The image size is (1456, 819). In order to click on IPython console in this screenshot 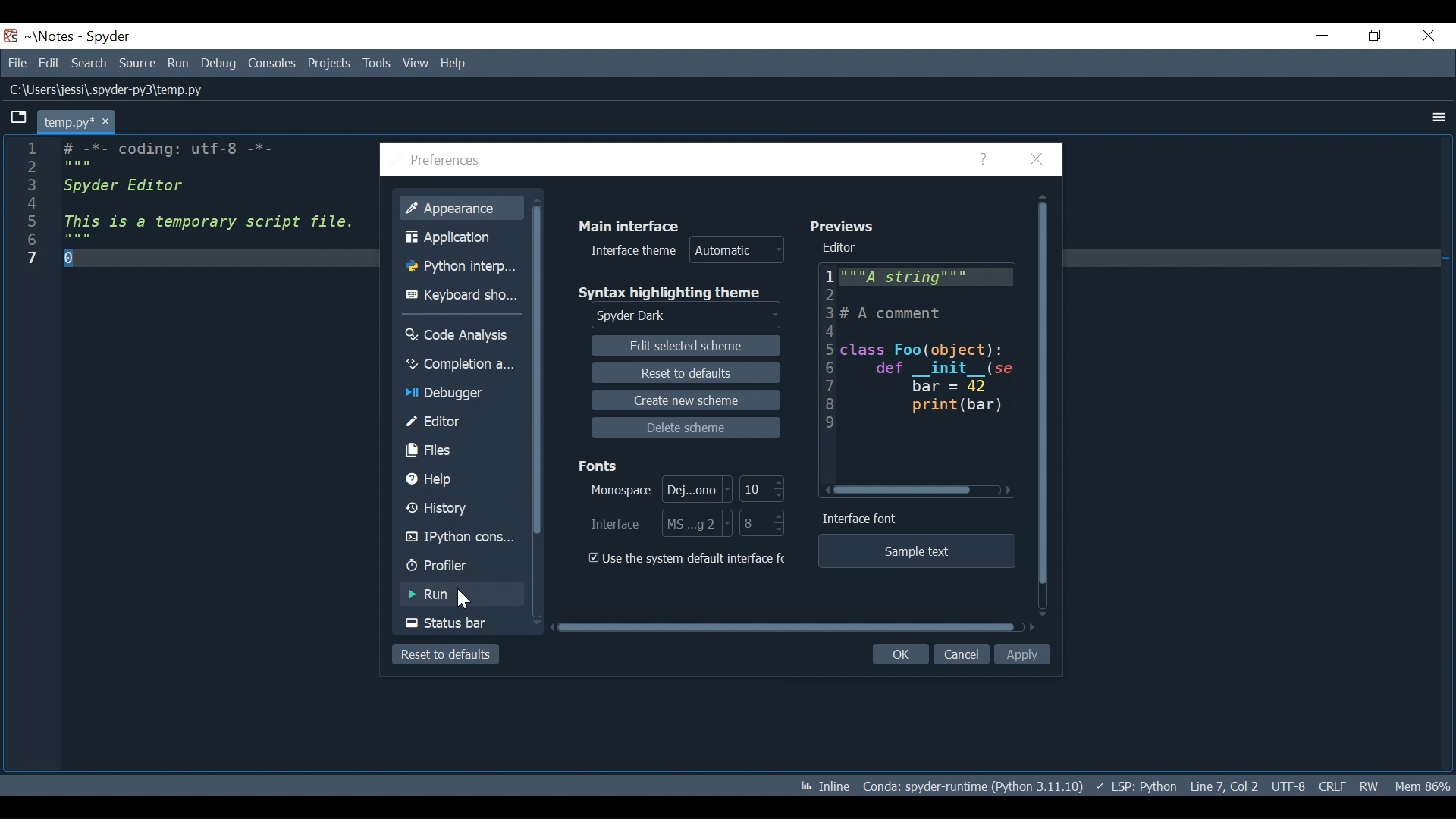, I will do `click(459, 537)`.